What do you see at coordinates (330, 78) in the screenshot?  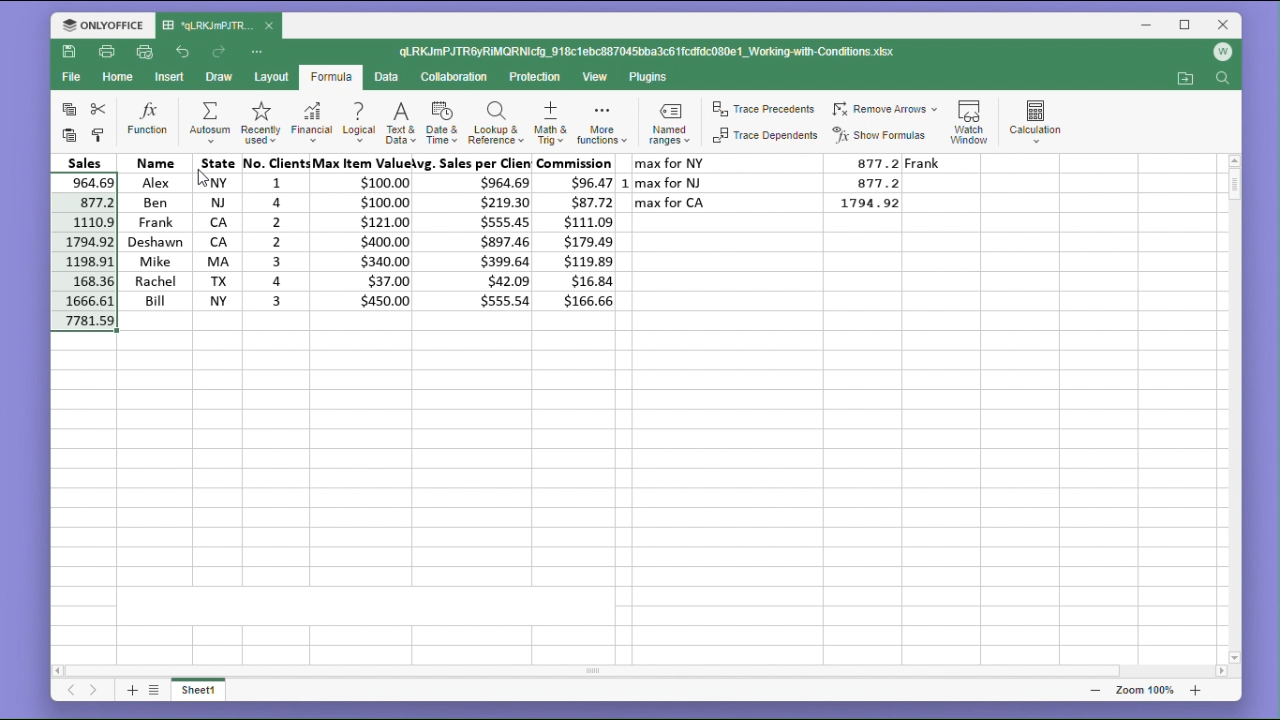 I see `formula` at bounding box center [330, 78].